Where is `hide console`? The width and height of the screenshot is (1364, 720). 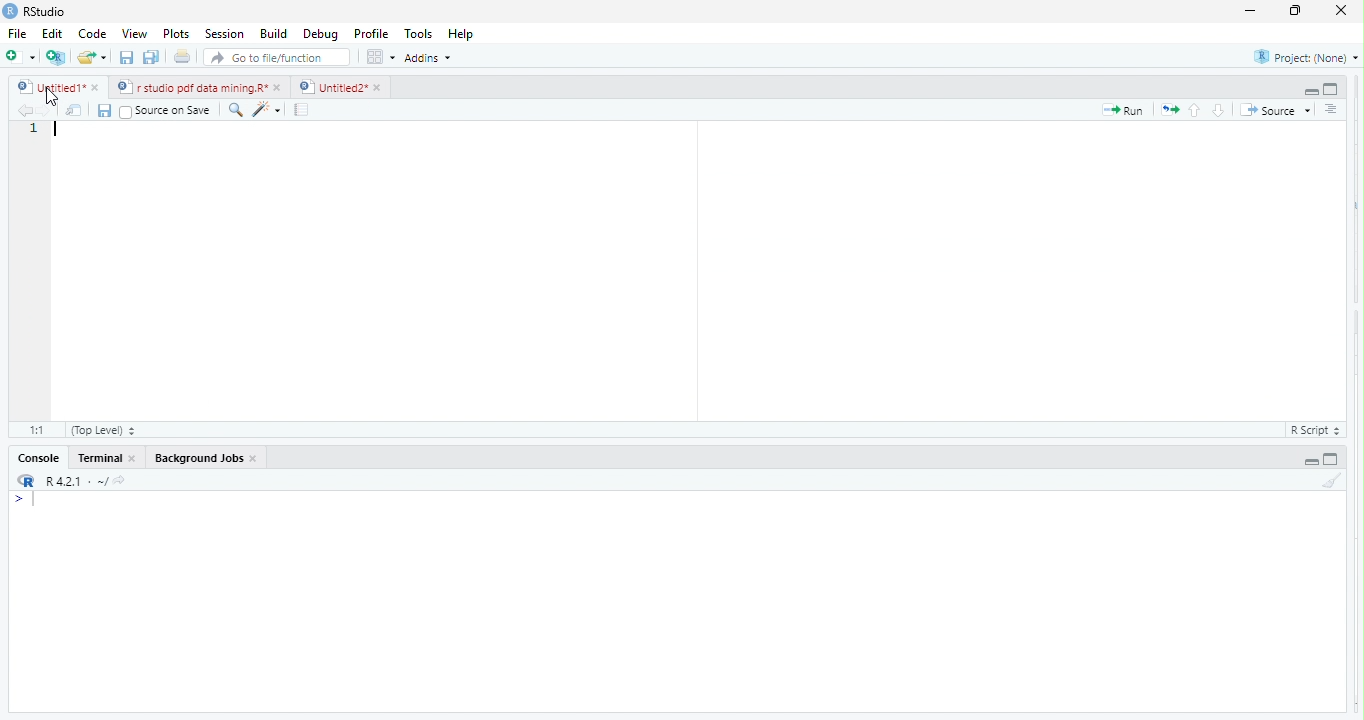 hide console is located at coordinates (1331, 87).